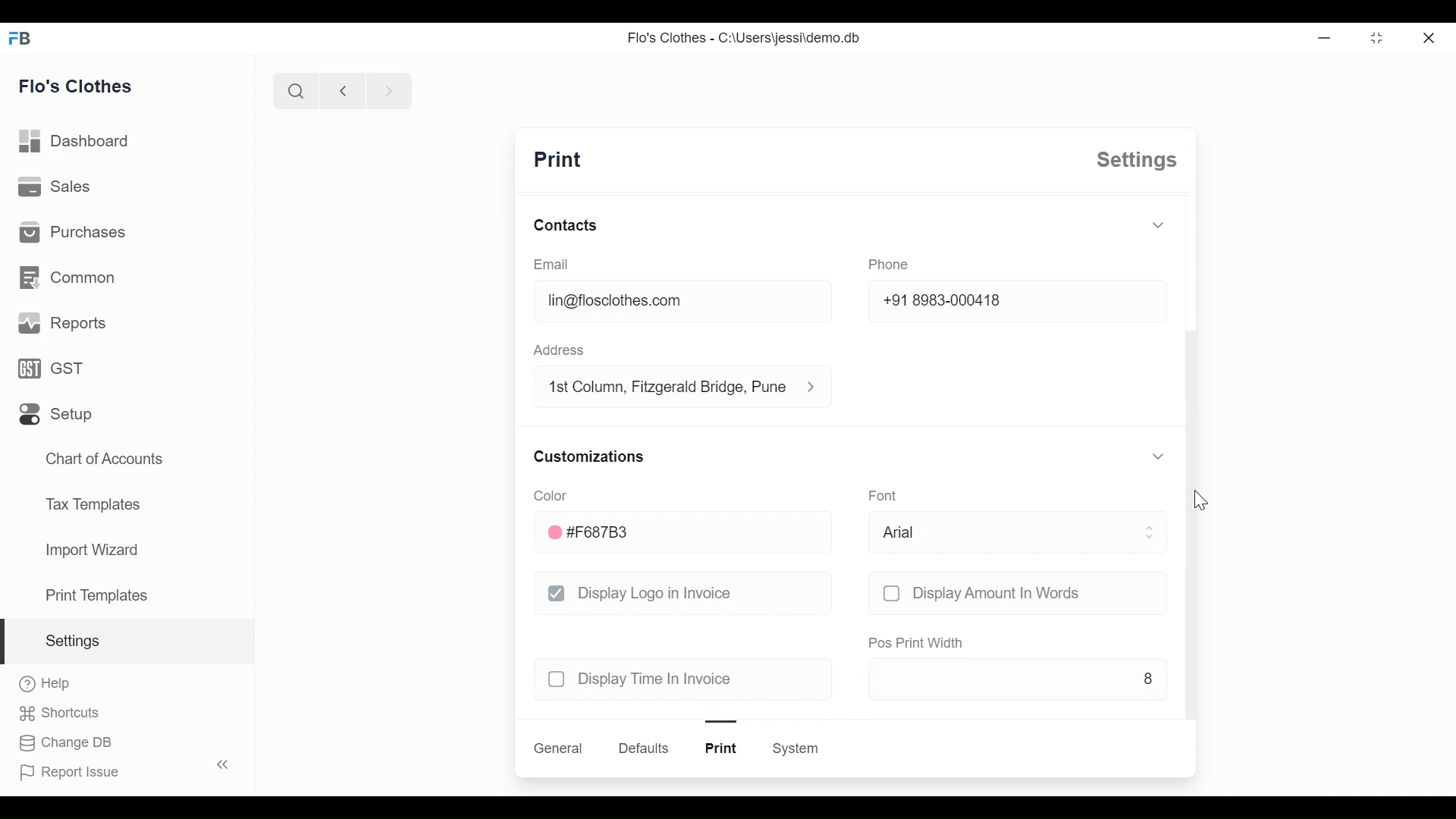 This screenshot has width=1456, height=819. What do you see at coordinates (795, 748) in the screenshot?
I see `system` at bounding box center [795, 748].